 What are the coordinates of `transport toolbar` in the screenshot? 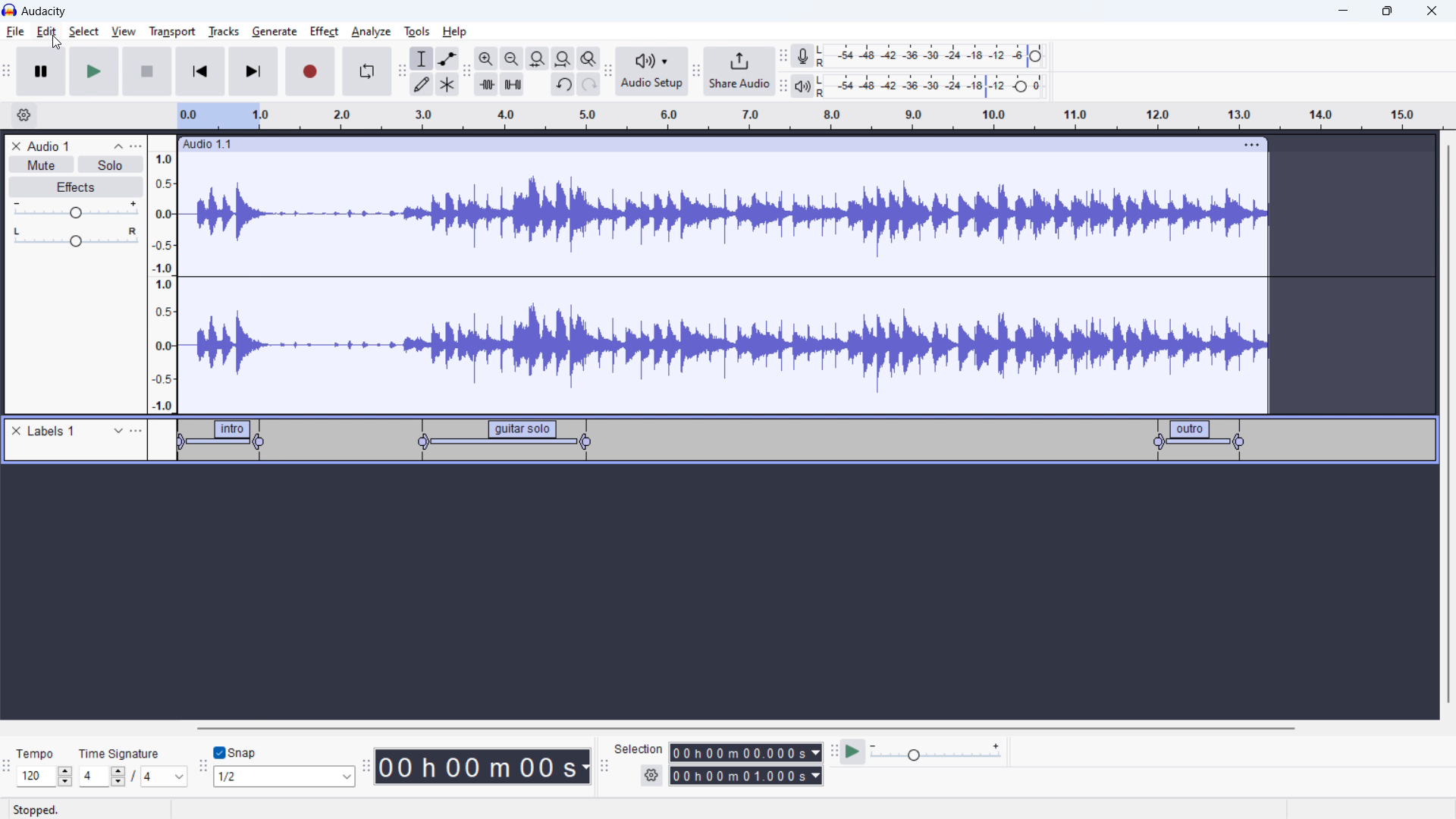 It's located at (8, 74).